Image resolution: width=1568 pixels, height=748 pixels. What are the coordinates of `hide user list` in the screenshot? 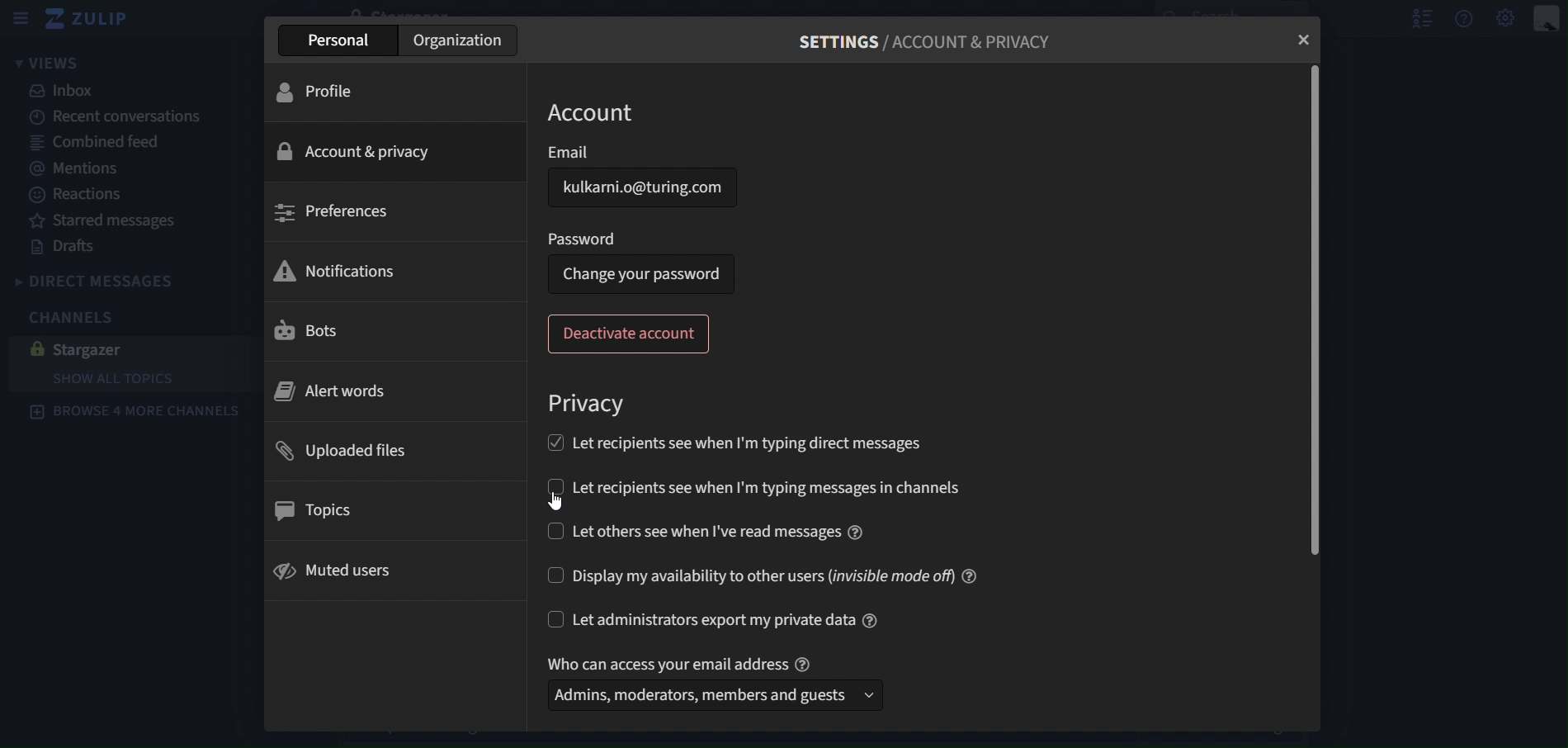 It's located at (1426, 22).